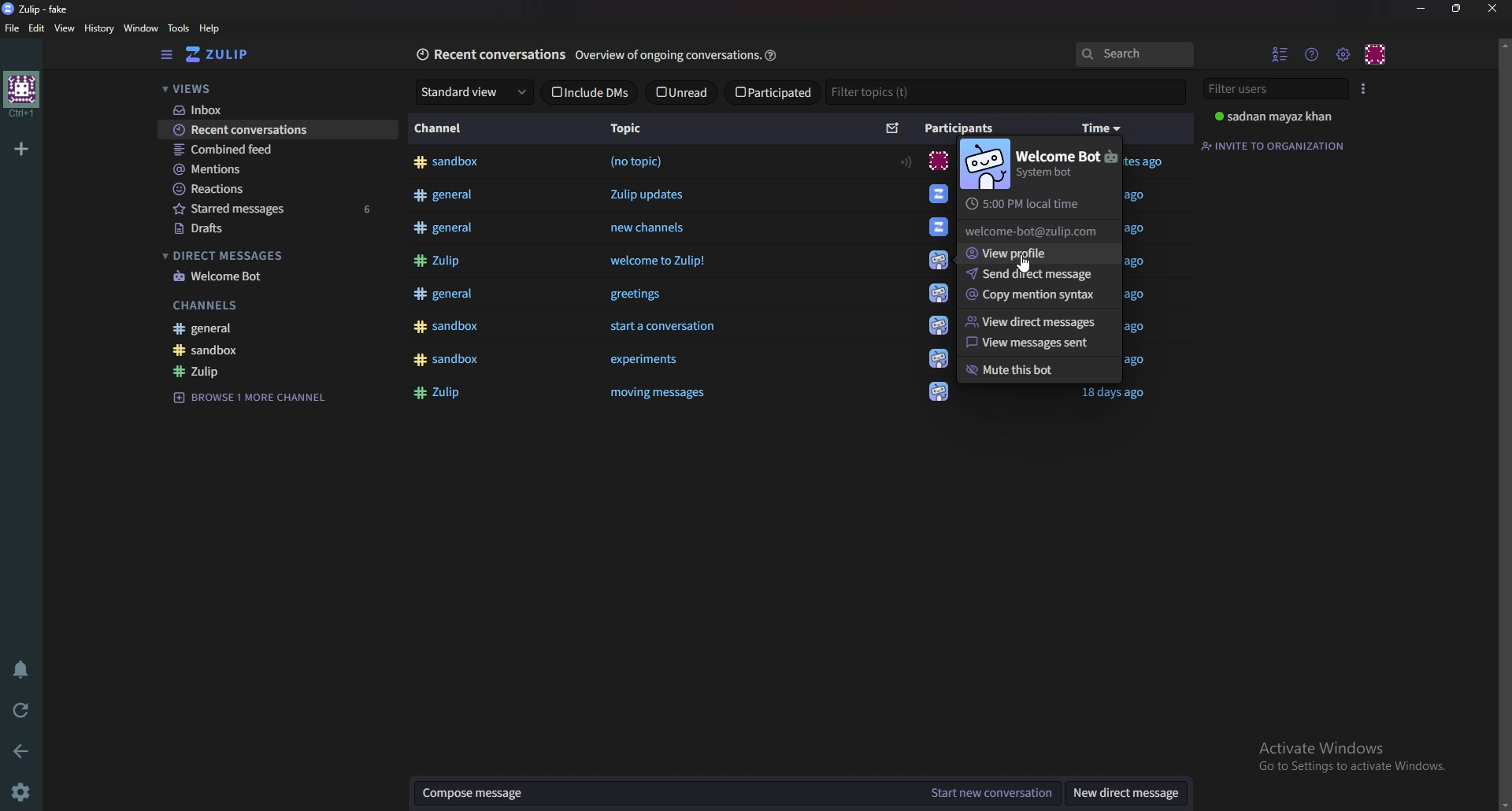  Describe the element at coordinates (266, 87) in the screenshot. I see `Views` at that location.